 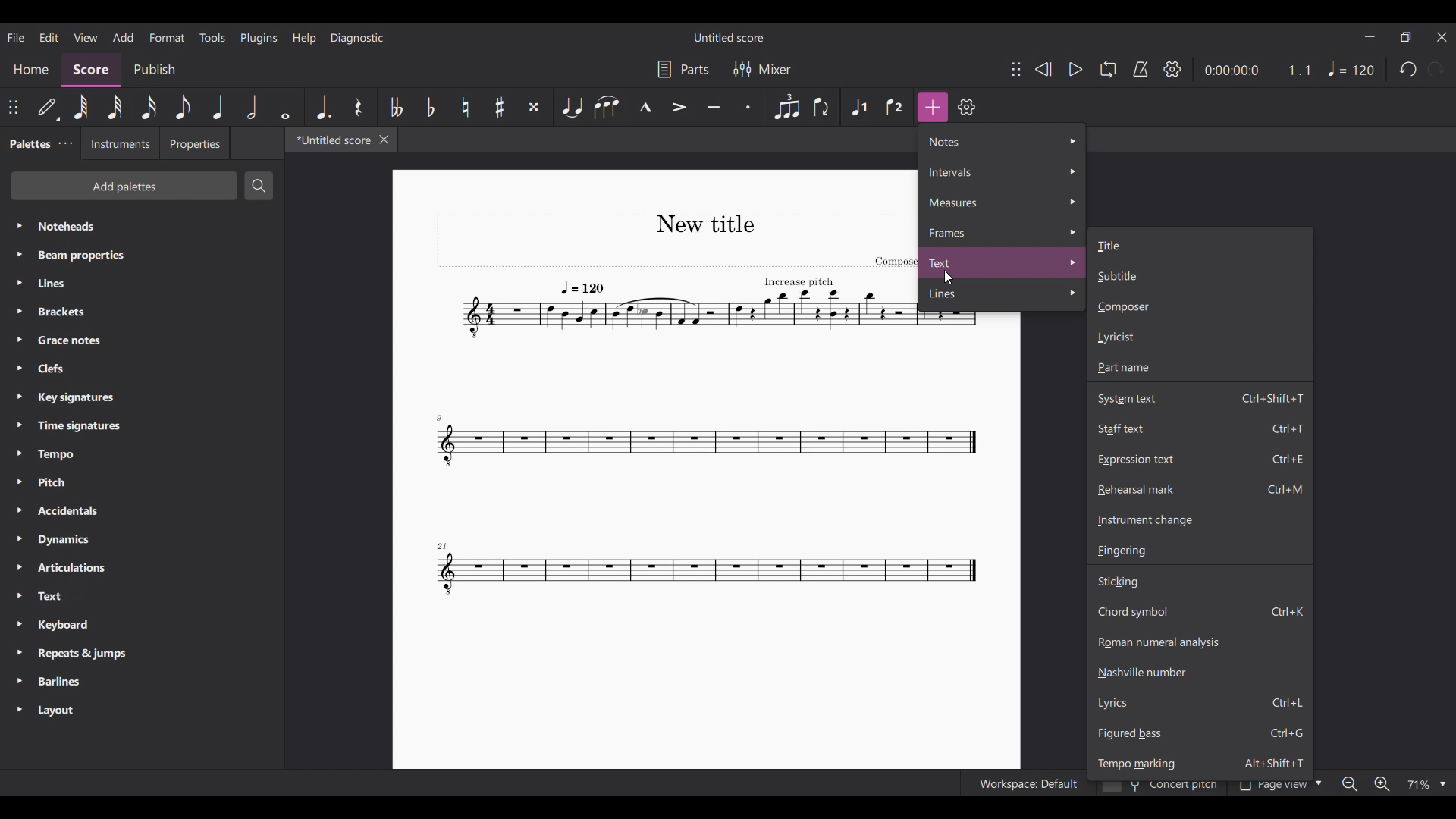 What do you see at coordinates (184, 107) in the screenshot?
I see `8th note` at bounding box center [184, 107].